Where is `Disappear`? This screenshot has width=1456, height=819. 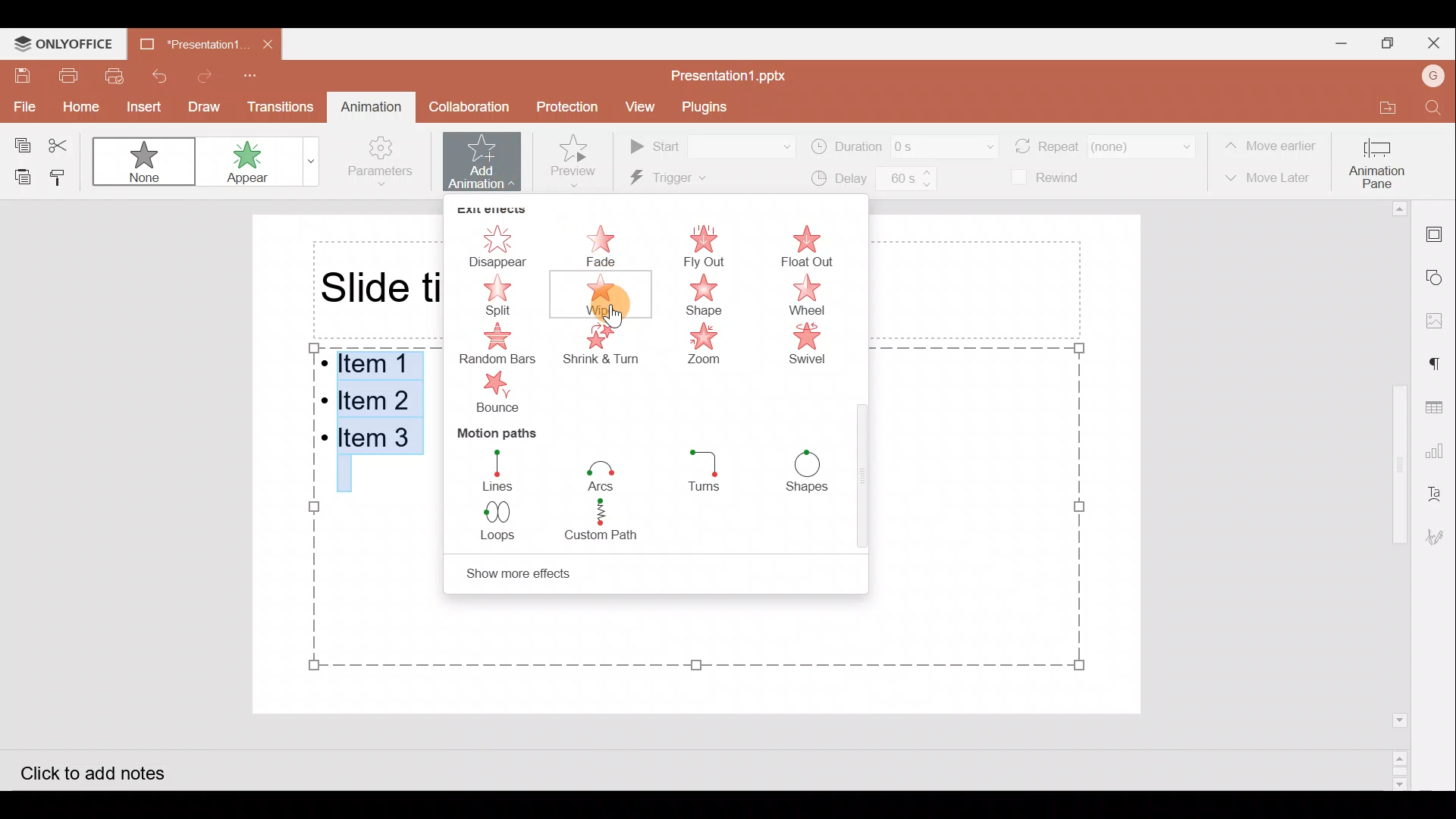
Disappear is located at coordinates (495, 244).